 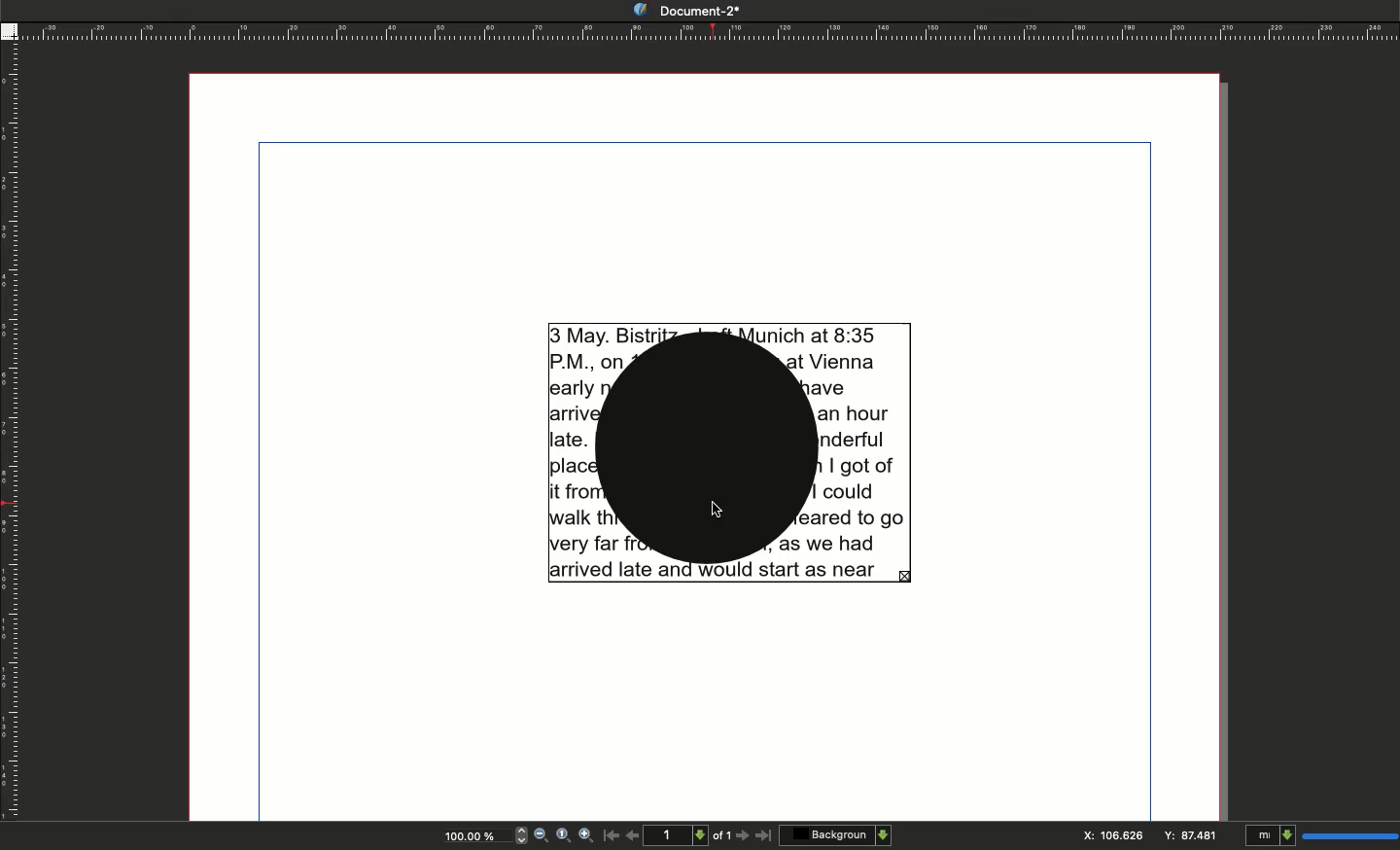 What do you see at coordinates (583, 836) in the screenshot?
I see `Zoom in` at bounding box center [583, 836].